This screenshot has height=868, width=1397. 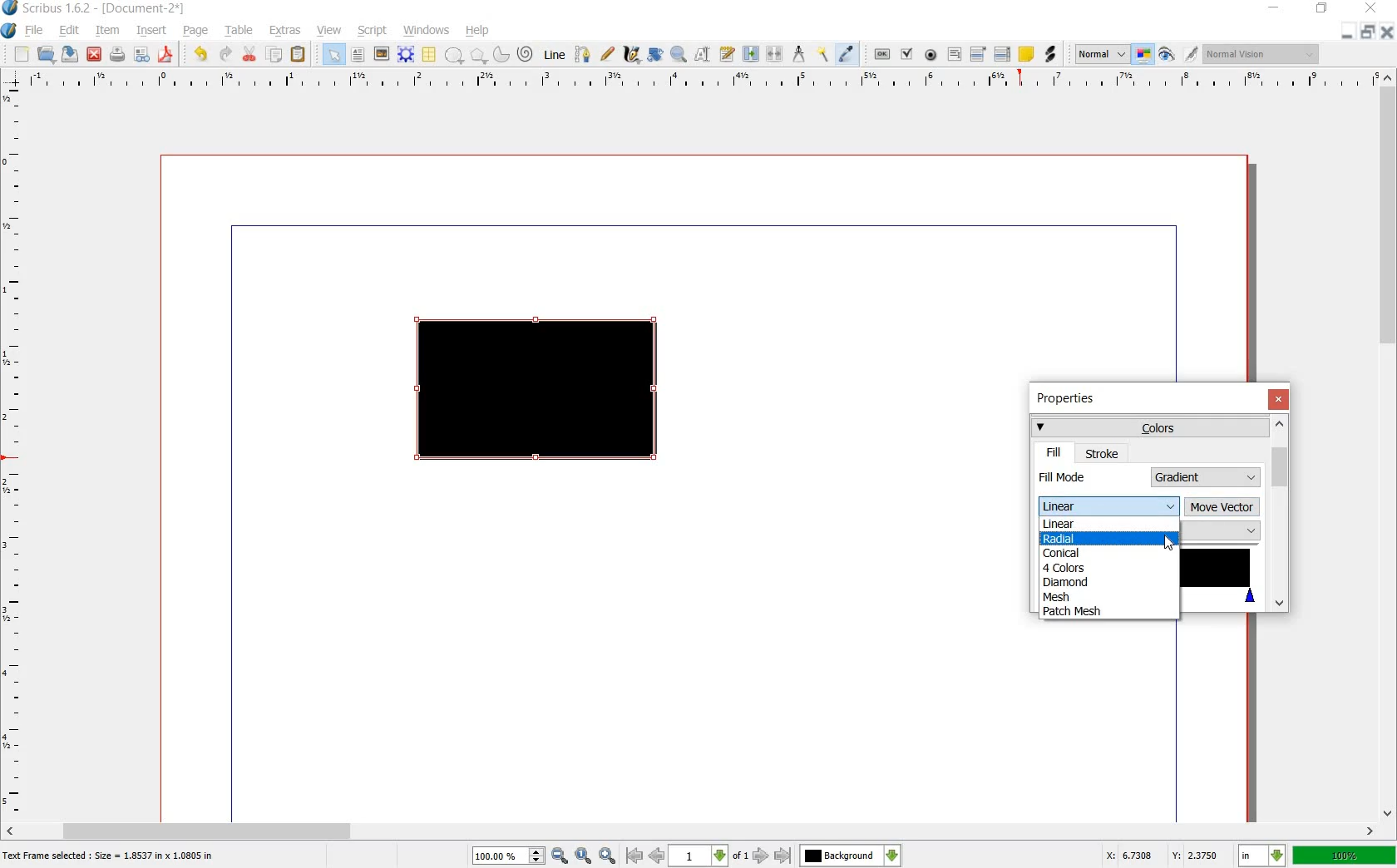 What do you see at coordinates (1049, 55) in the screenshot?
I see `link annotation` at bounding box center [1049, 55].